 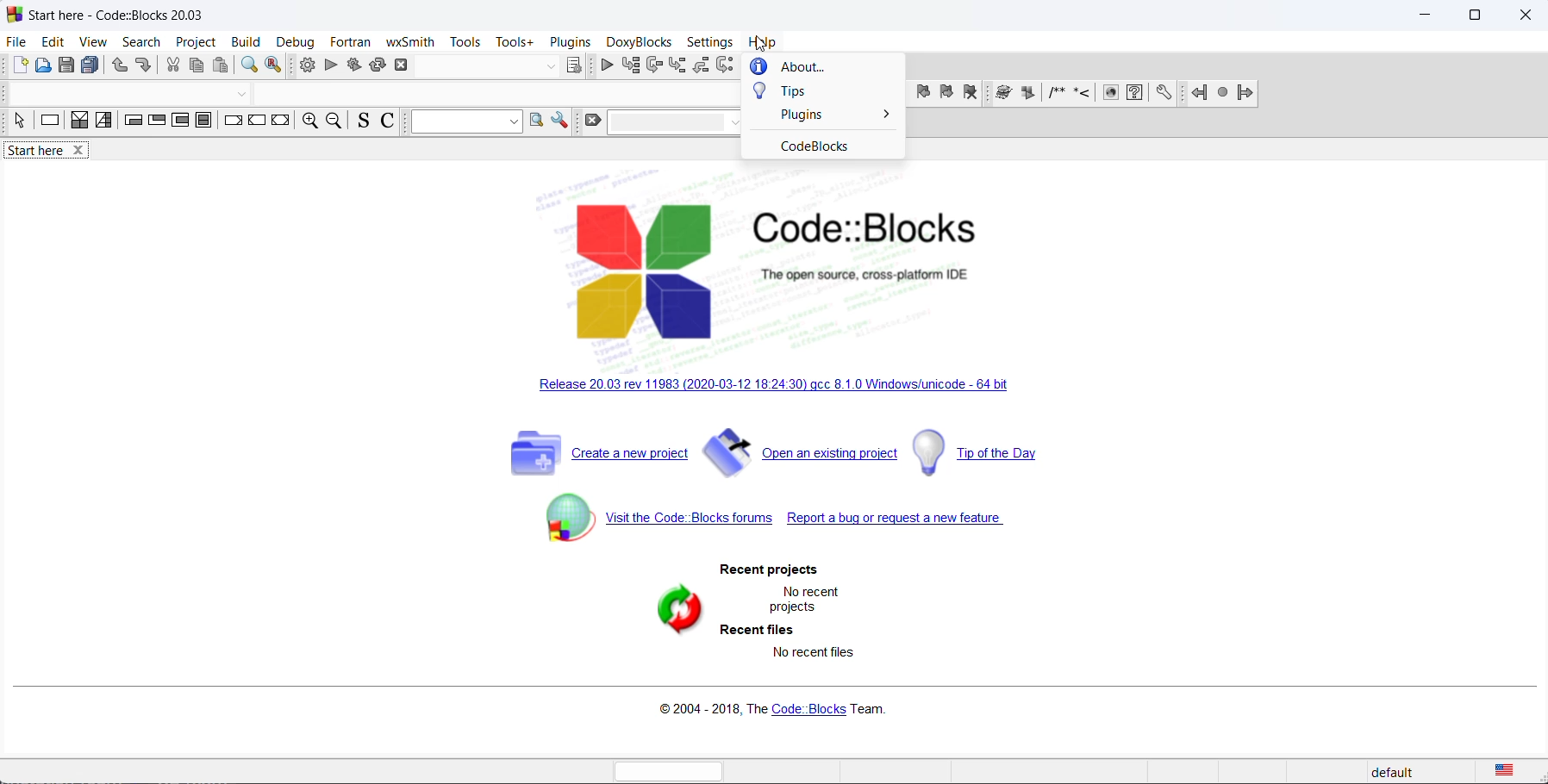 What do you see at coordinates (1222, 95) in the screenshot?
I see `next jump` at bounding box center [1222, 95].